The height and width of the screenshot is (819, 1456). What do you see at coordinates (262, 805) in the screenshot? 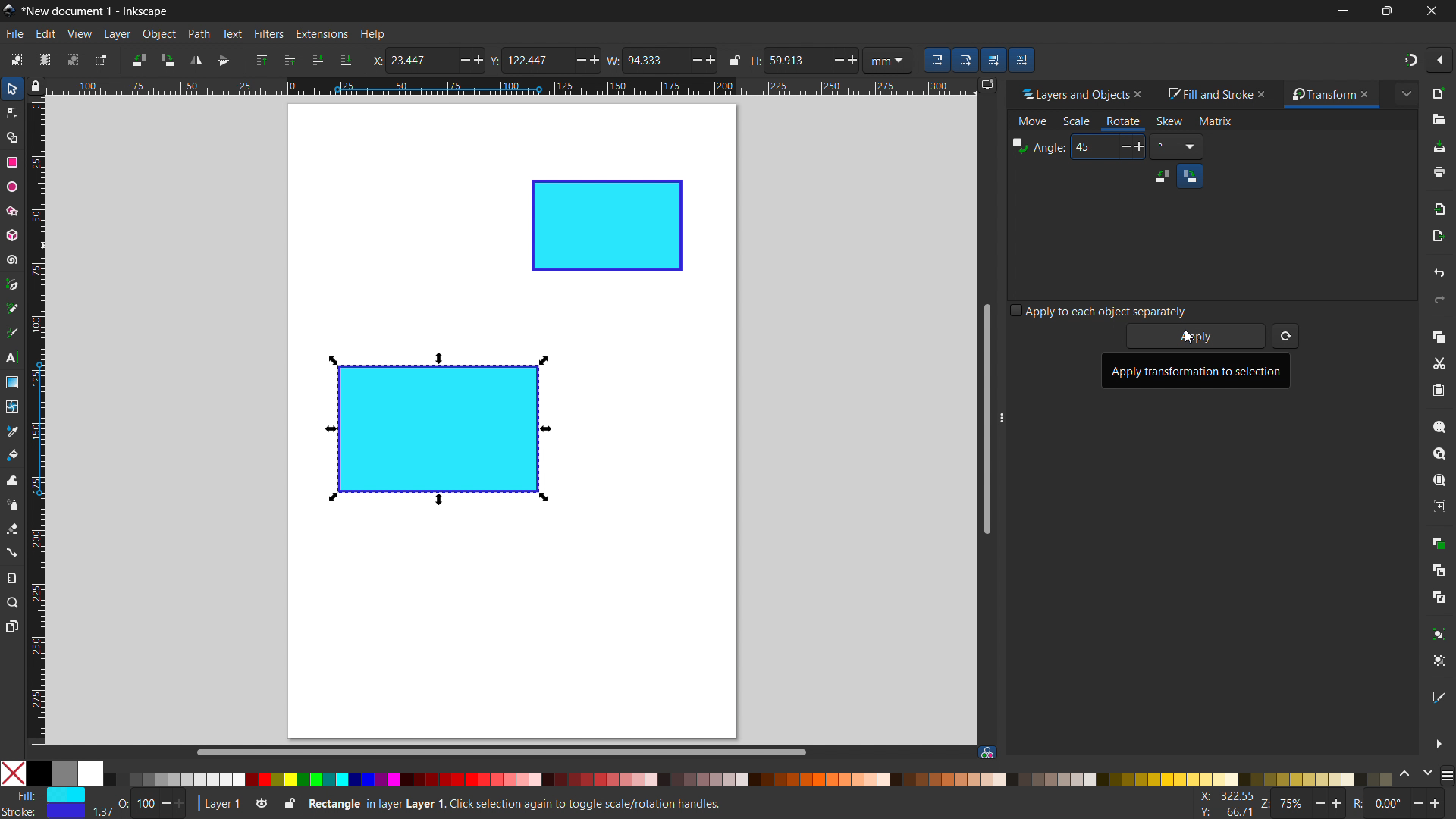
I see `toggle layer visibility` at bounding box center [262, 805].